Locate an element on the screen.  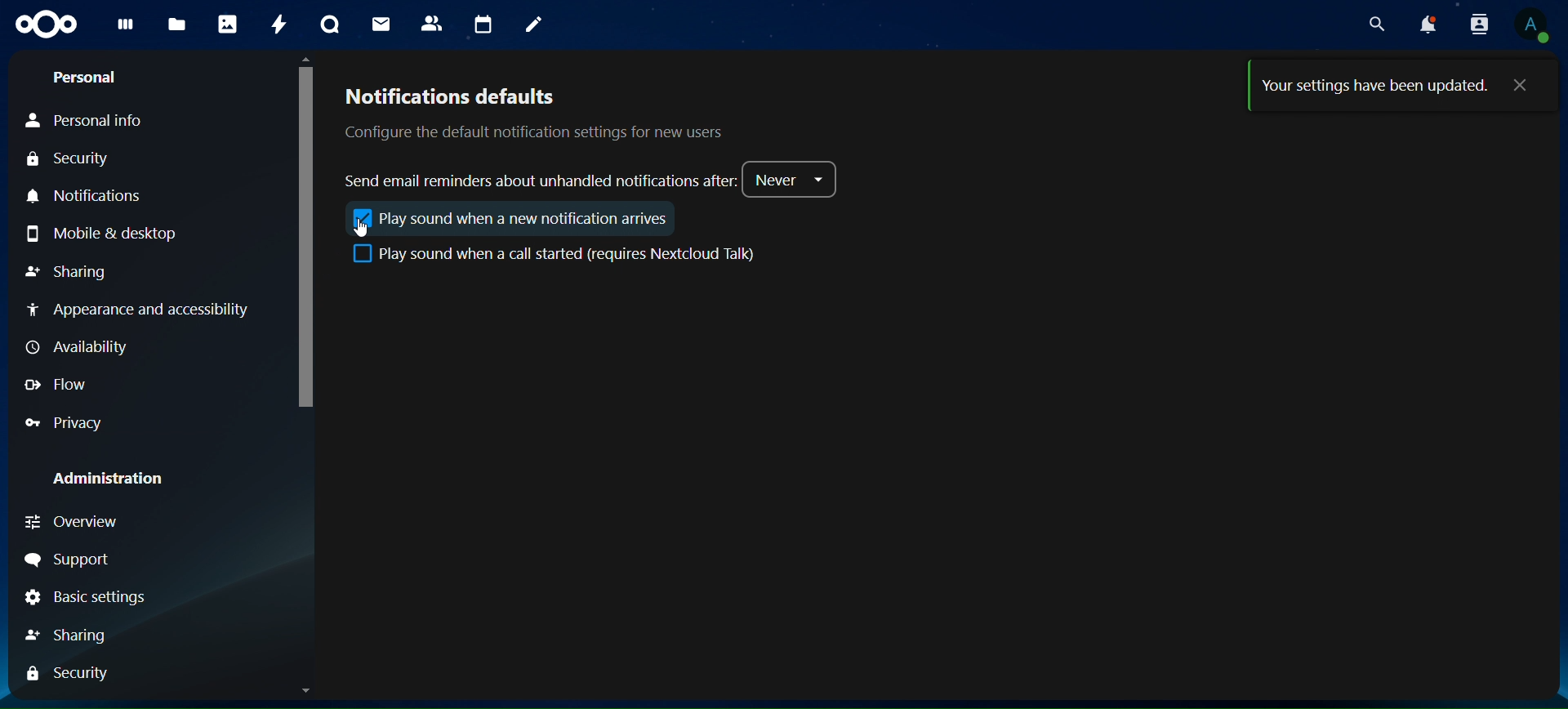
Security is located at coordinates (73, 674).